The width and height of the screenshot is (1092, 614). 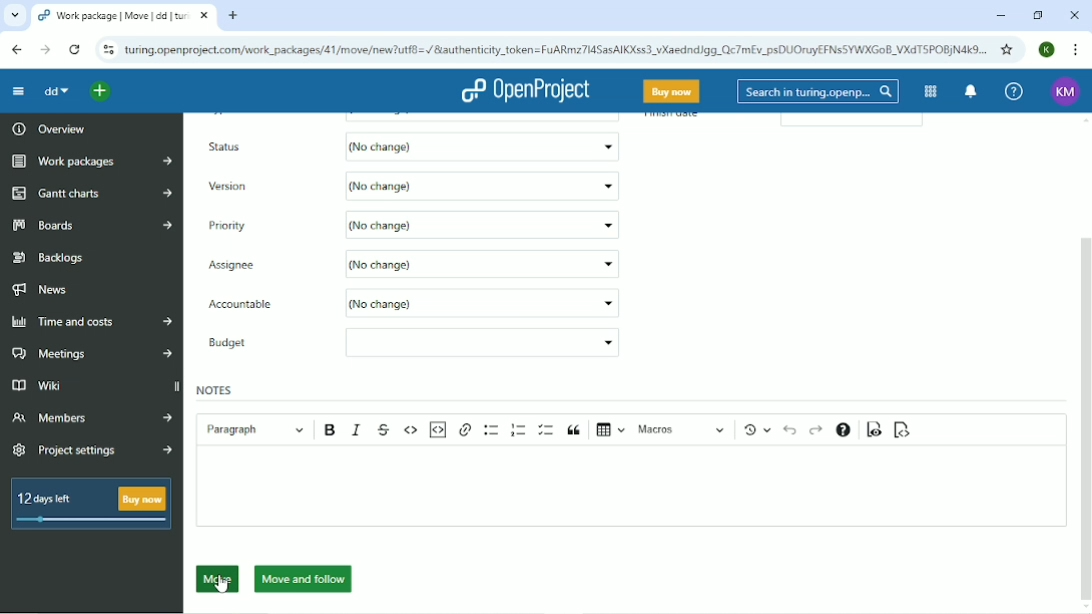 I want to click on To-do list, so click(x=546, y=429).